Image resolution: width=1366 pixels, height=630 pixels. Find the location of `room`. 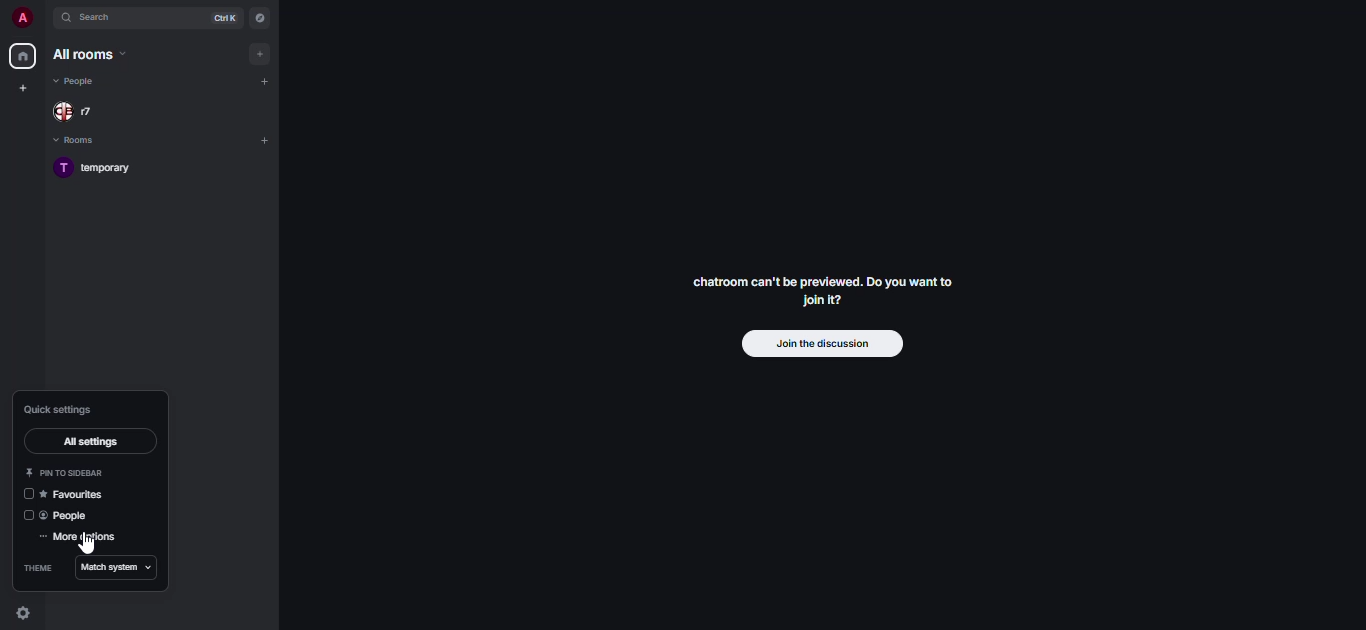

room is located at coordinates (104, 166).